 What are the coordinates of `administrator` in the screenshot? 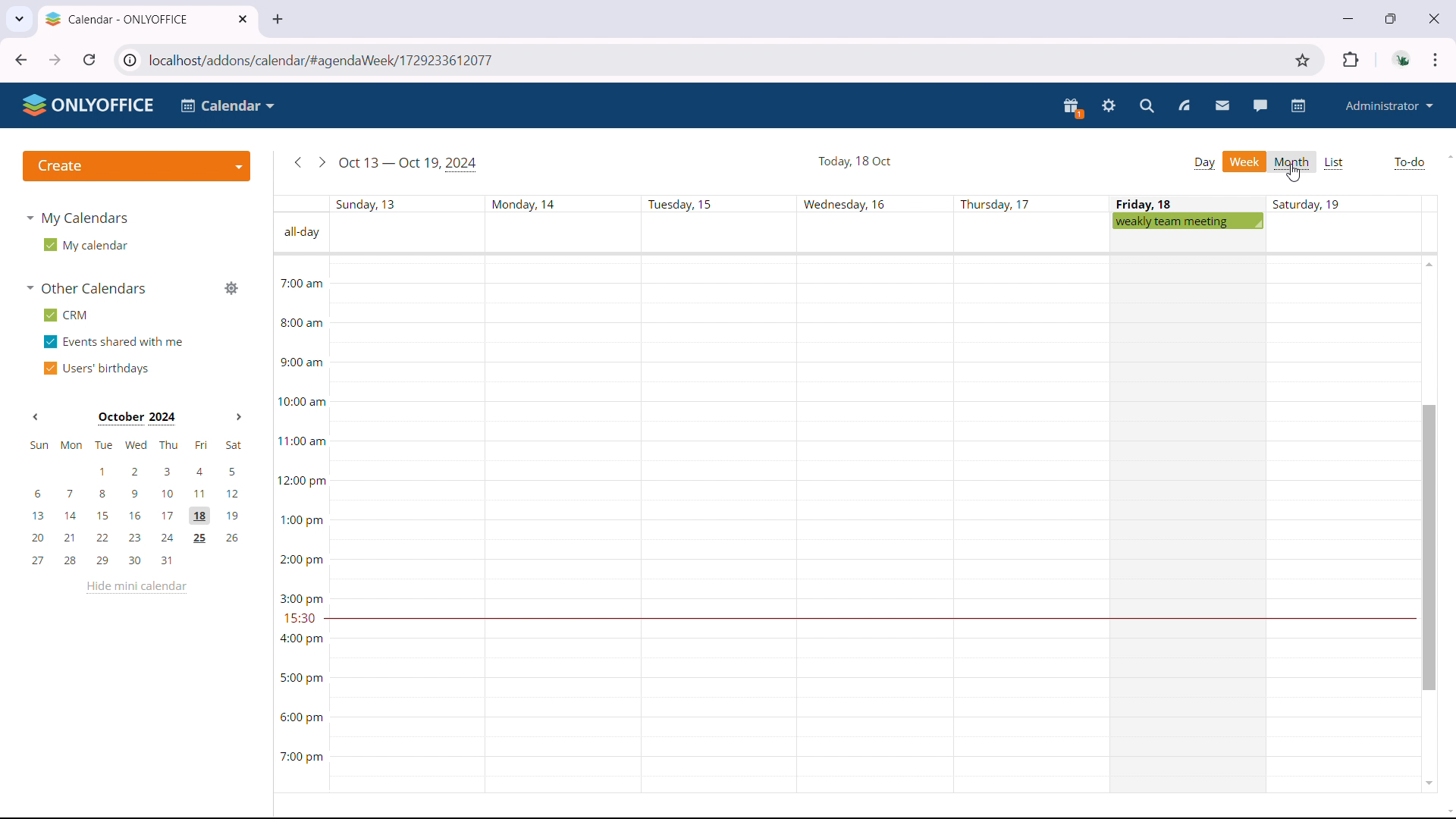 It's located at (1390, 105).